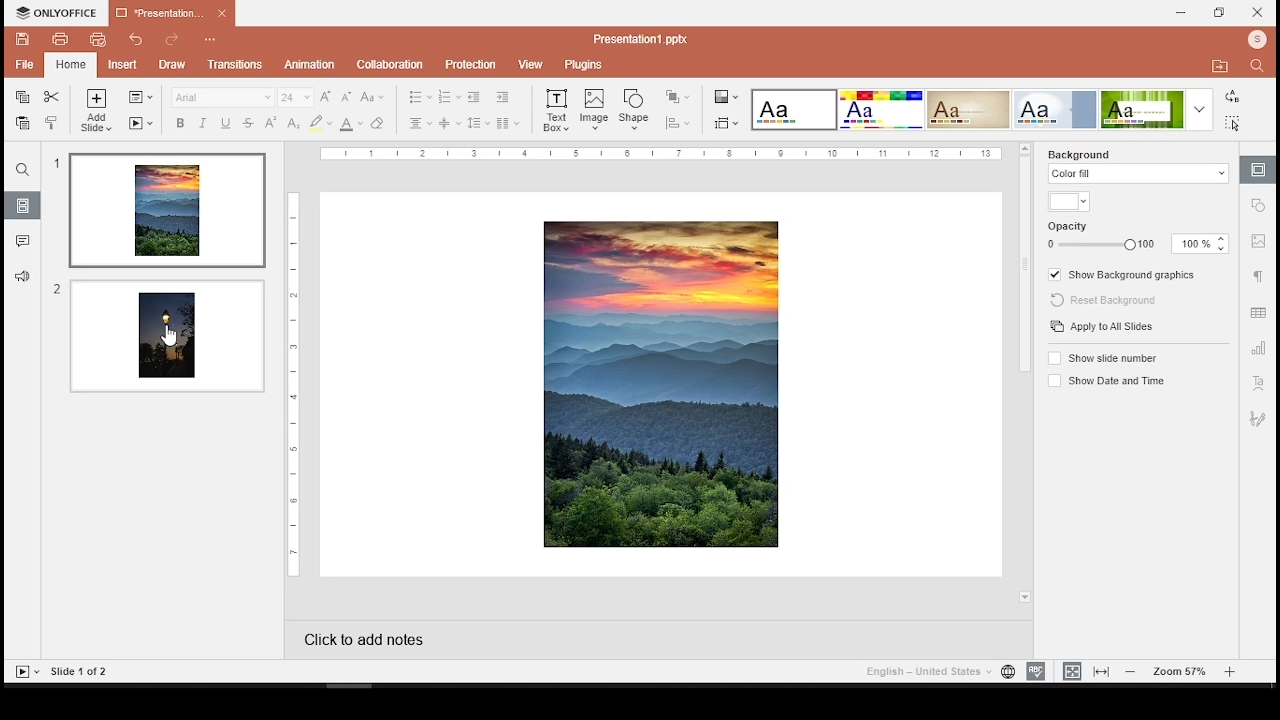 The height and width of the screenshot is (720, 1280). Describe the element at coordinates (1072, 671) in the screenshot. I see `fit to slide` at that location.